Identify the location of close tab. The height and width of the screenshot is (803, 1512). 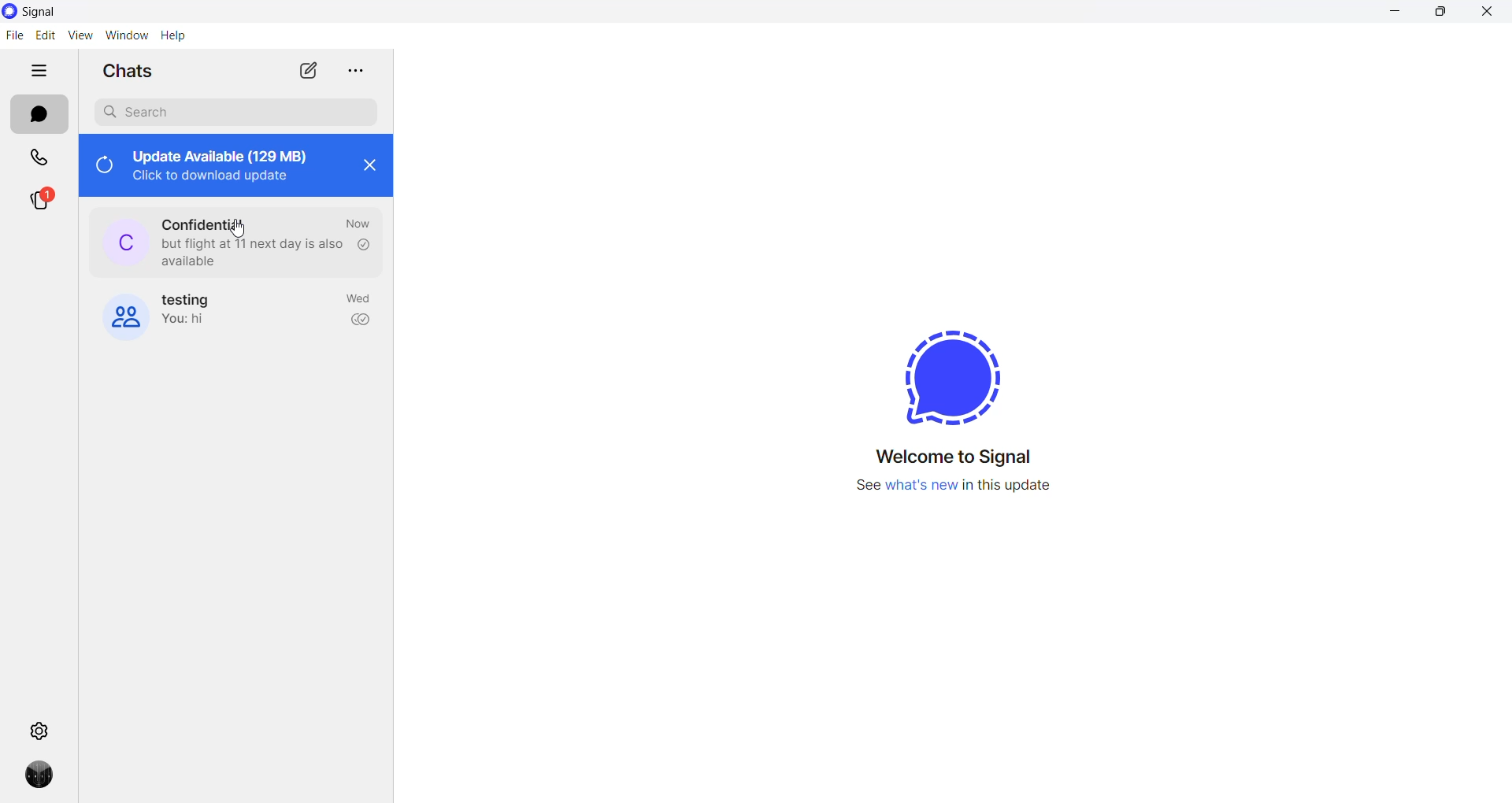
(354, 72).